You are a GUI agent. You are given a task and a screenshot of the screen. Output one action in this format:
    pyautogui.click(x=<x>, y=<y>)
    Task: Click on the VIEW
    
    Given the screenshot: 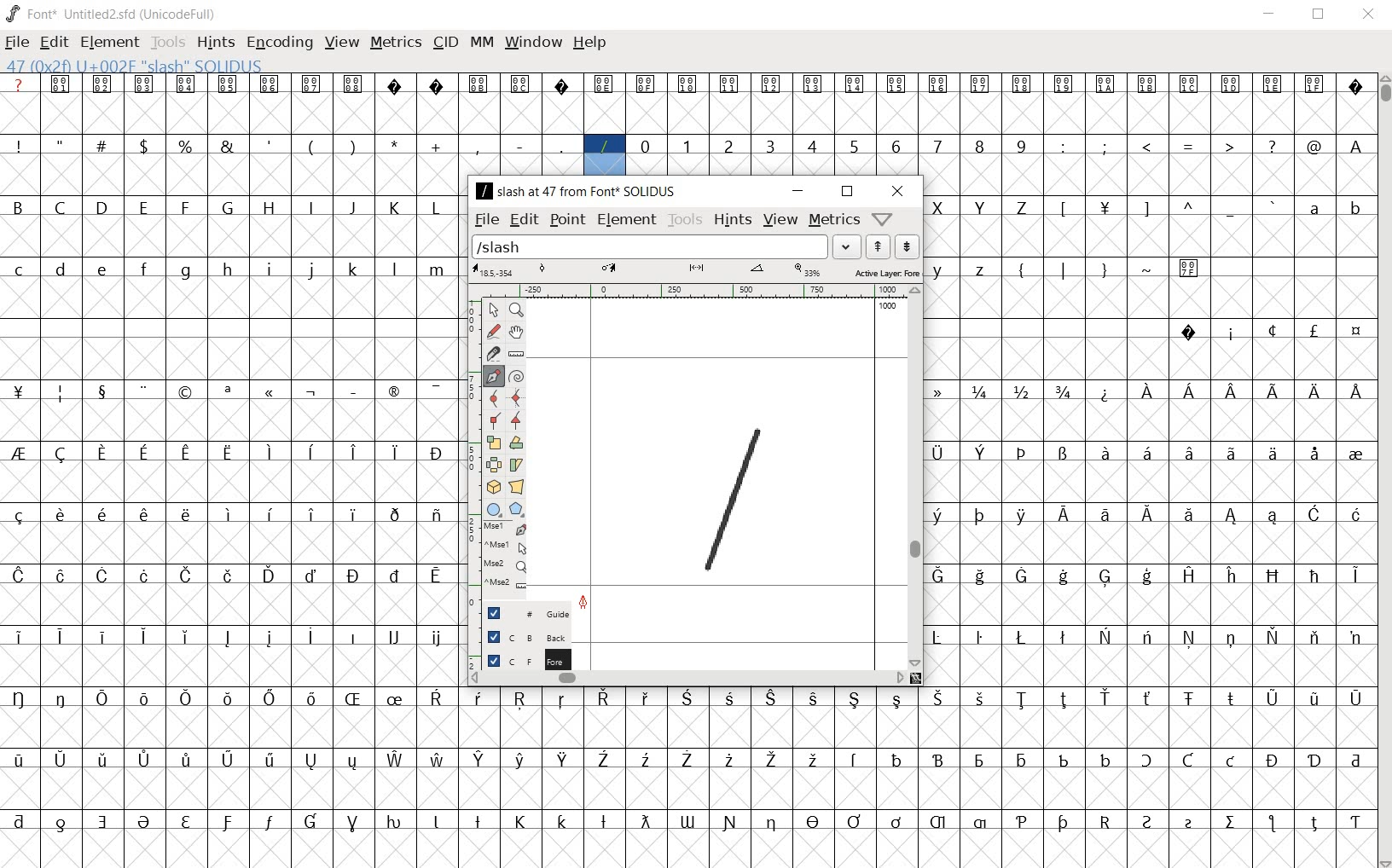 What is the action you would take?
    pyautogui.click(x=342, y=43)
    